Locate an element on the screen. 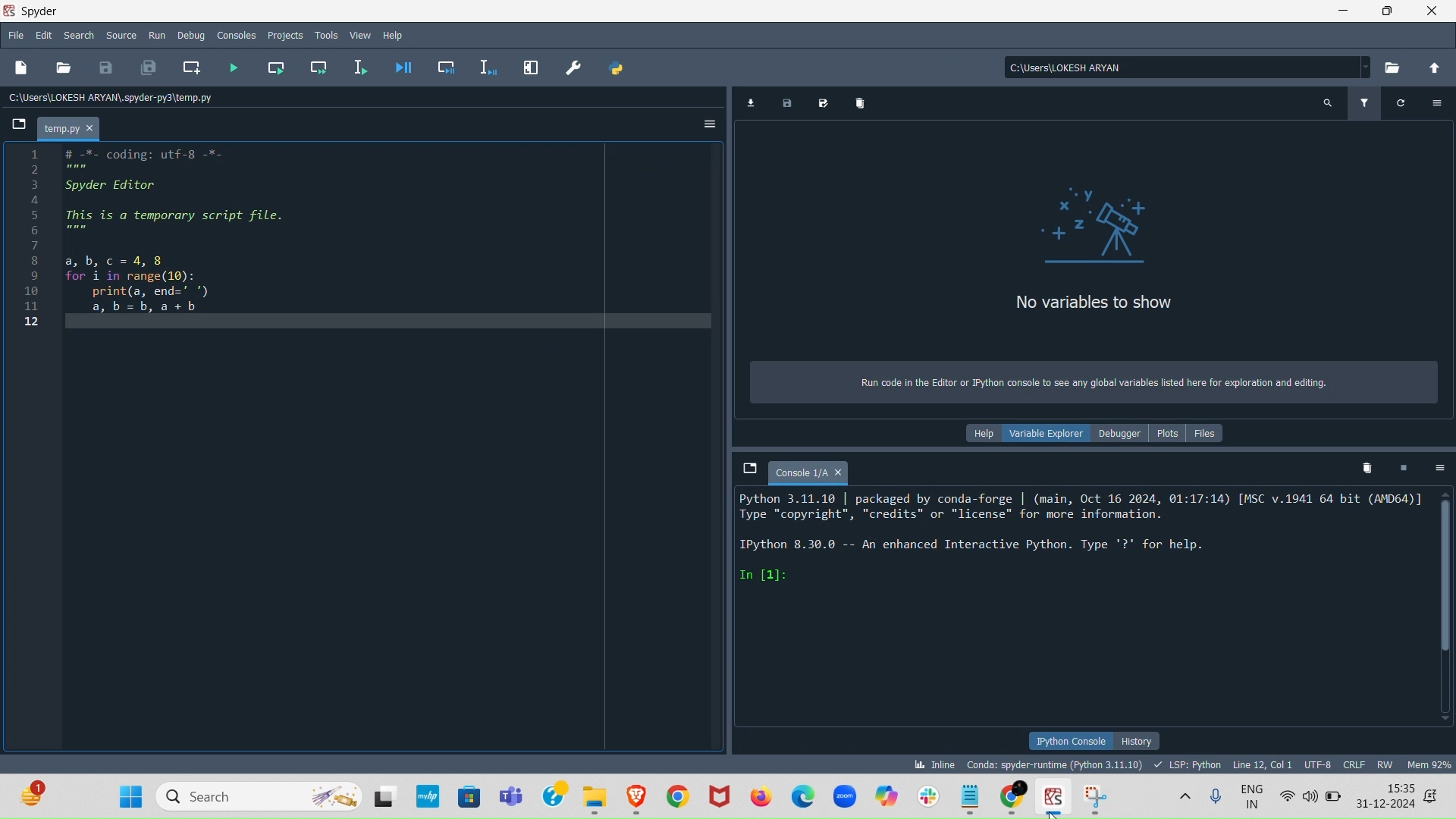 This screenshot has height=819, width=1456. File path is located at coordinates (1179, 63).